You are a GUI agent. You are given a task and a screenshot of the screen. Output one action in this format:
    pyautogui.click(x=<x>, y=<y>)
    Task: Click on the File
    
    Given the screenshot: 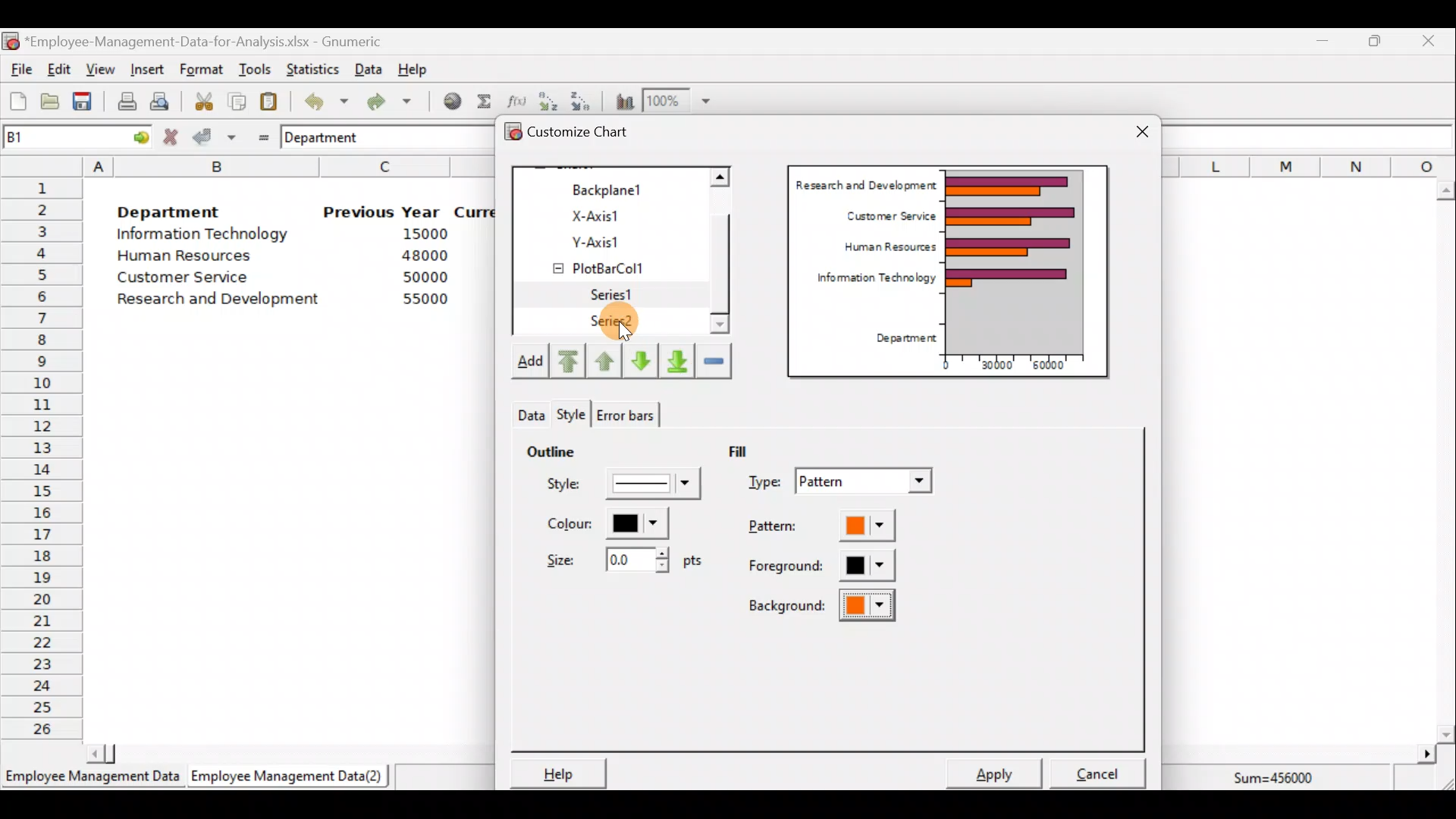 What is the action you would take?
    pyautogui.click(x=19, y=70)
    